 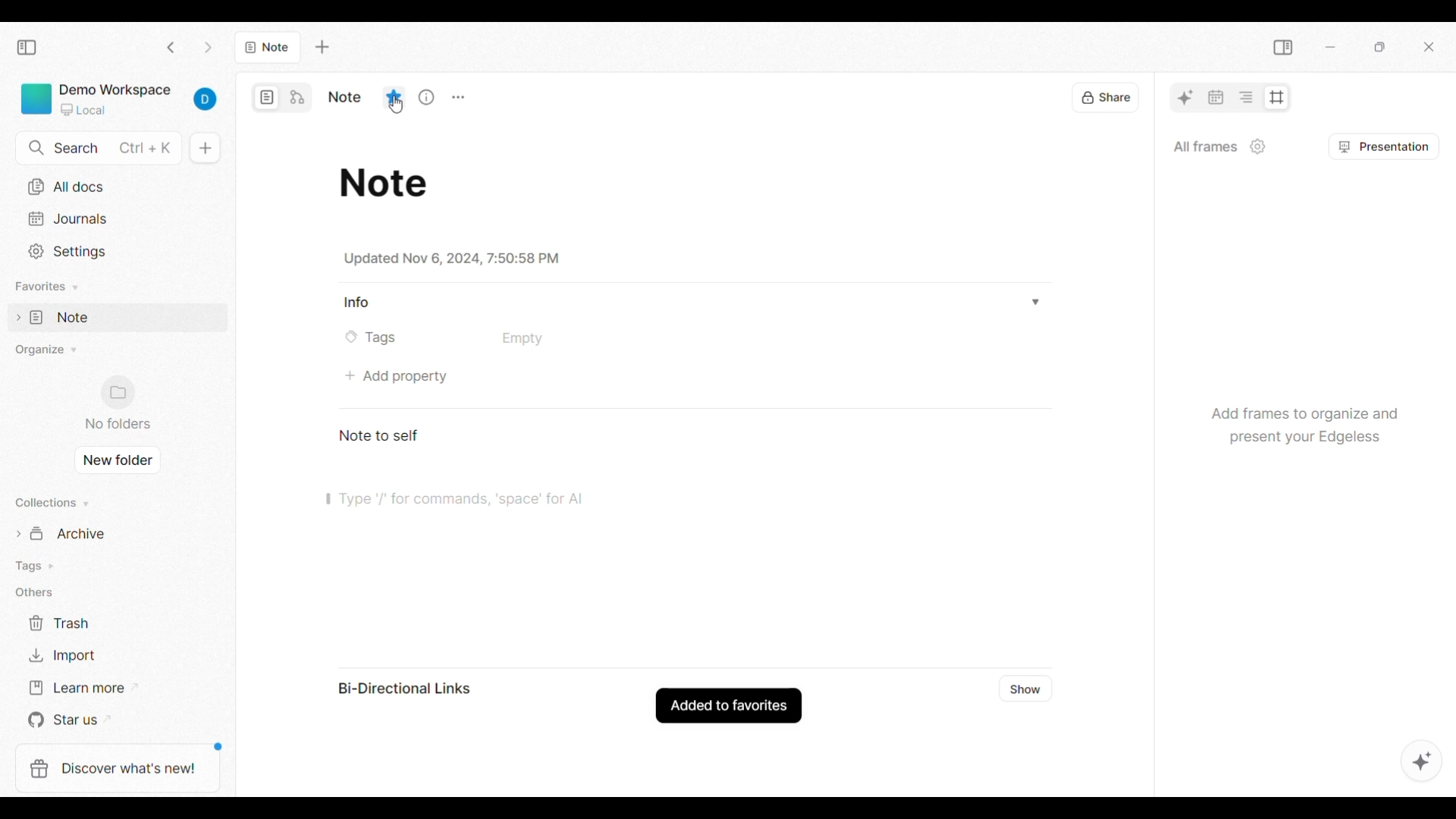 What do you see at coordinates (121, 403) in the screenshot?
I see `New folder section` at bounding box center [121, 403].